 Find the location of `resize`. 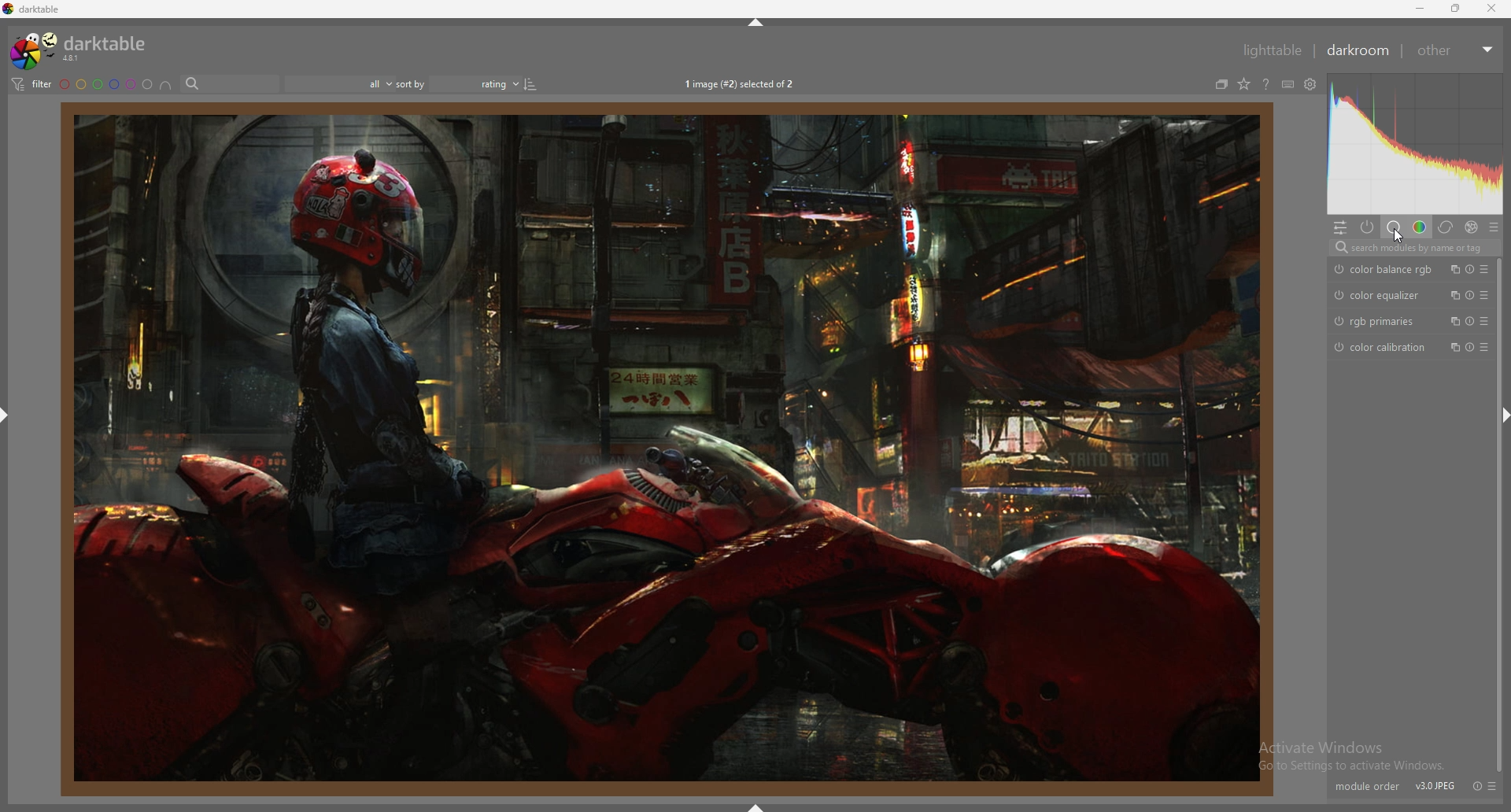

resize is located at coordinates (1455, 8).